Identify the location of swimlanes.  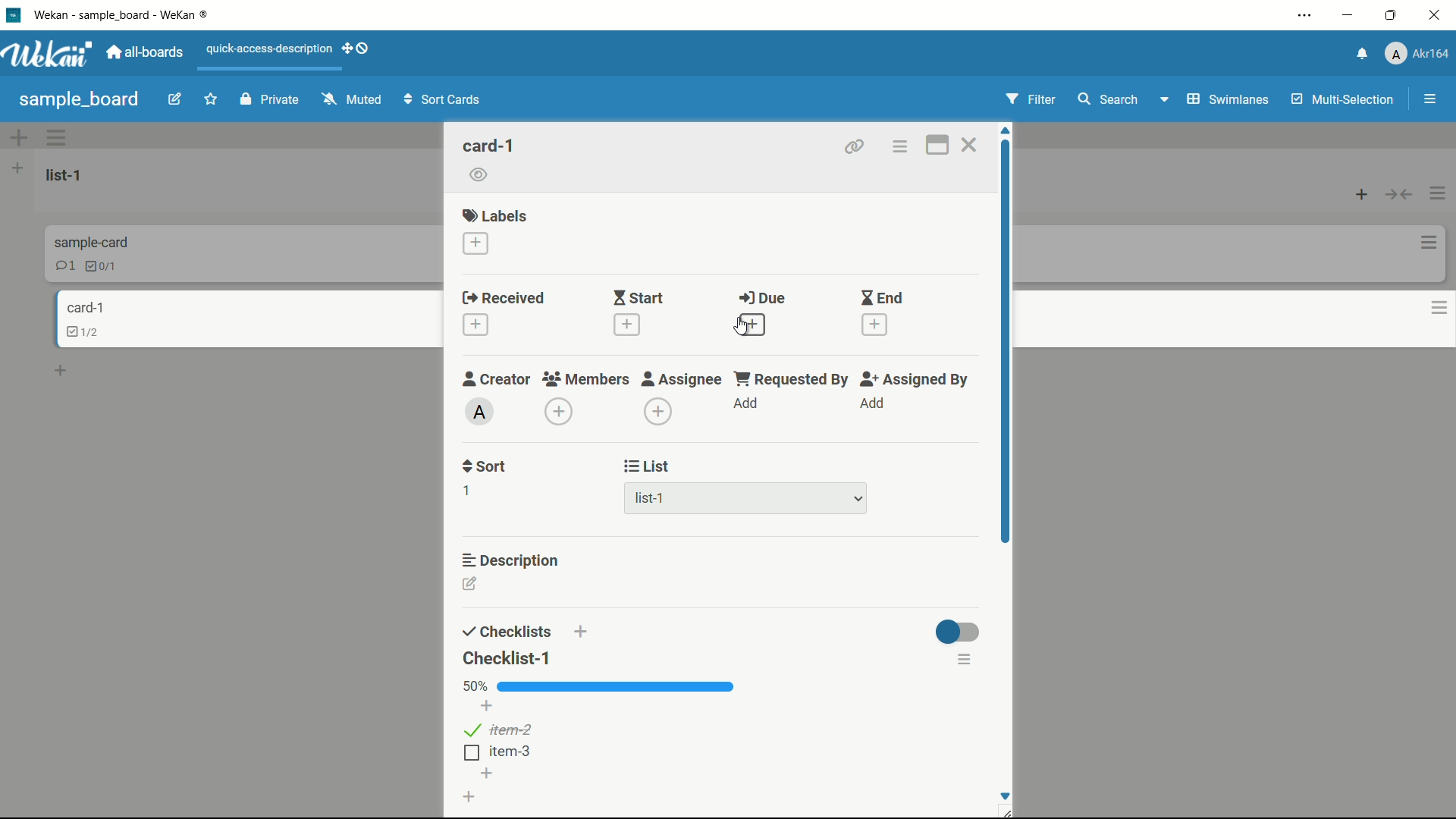
(1212, 101).